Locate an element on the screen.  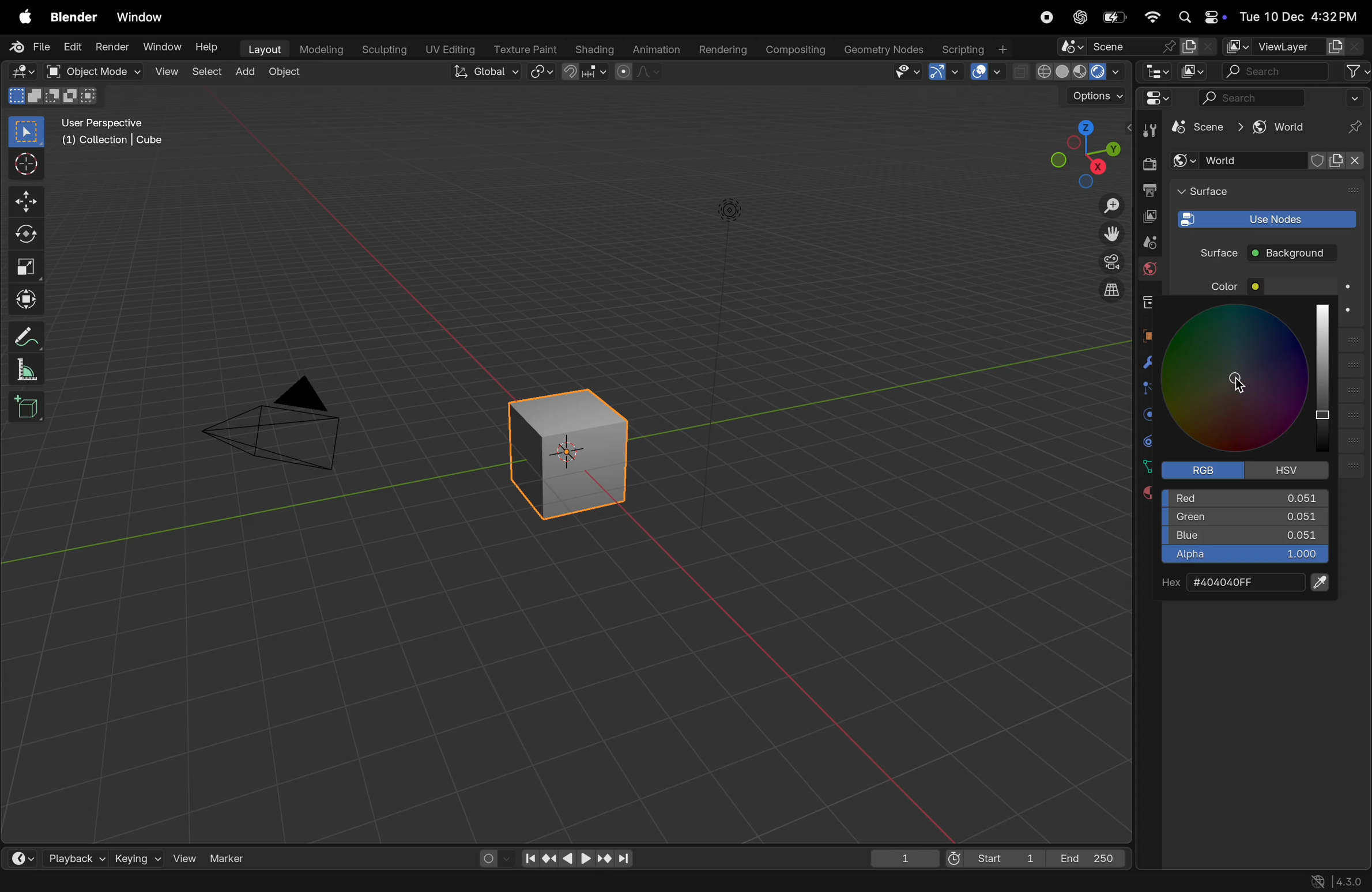
Object is located at coordinates (287, 73).